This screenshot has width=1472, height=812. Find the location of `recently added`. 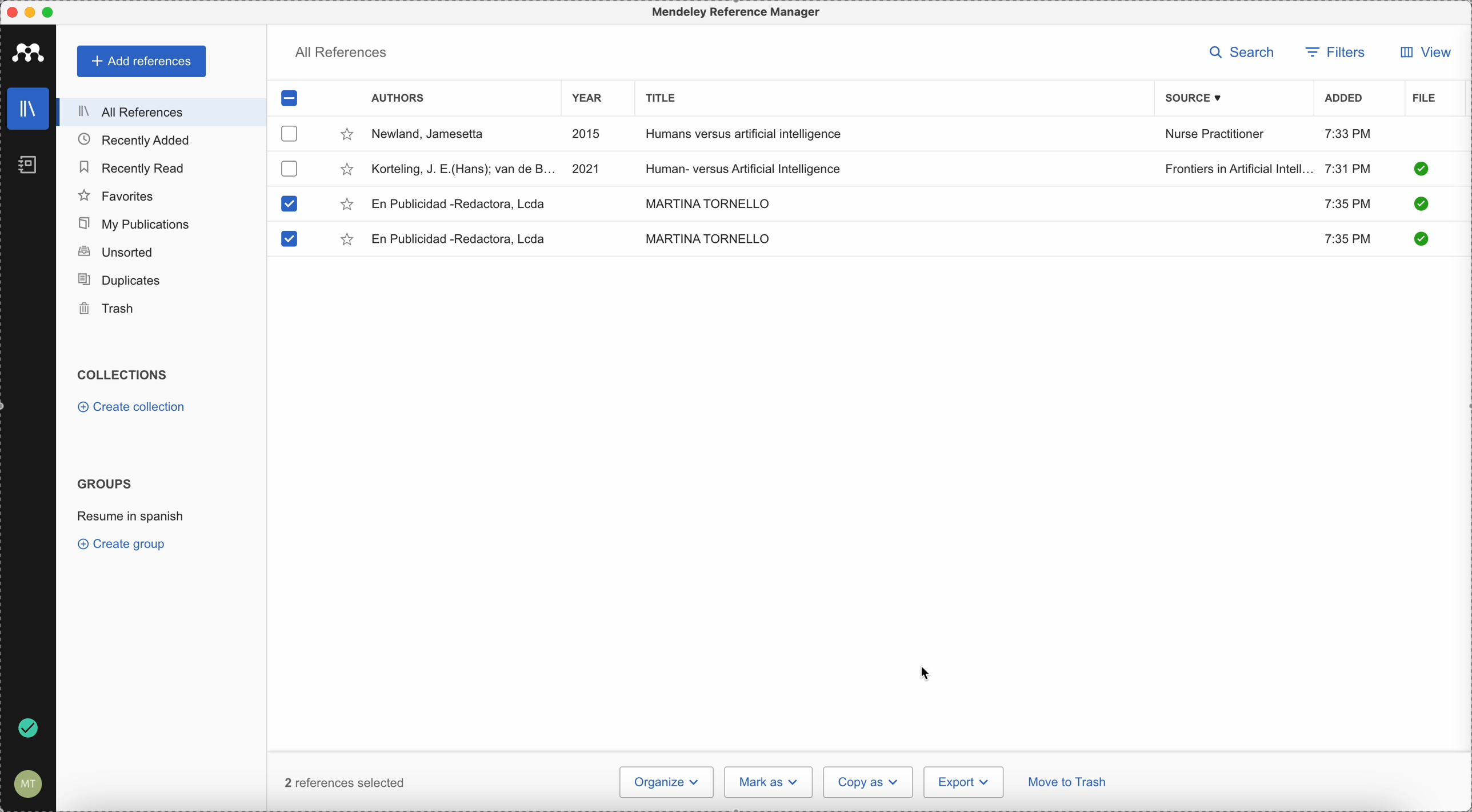

recently added is located at coordinates (143, 139).